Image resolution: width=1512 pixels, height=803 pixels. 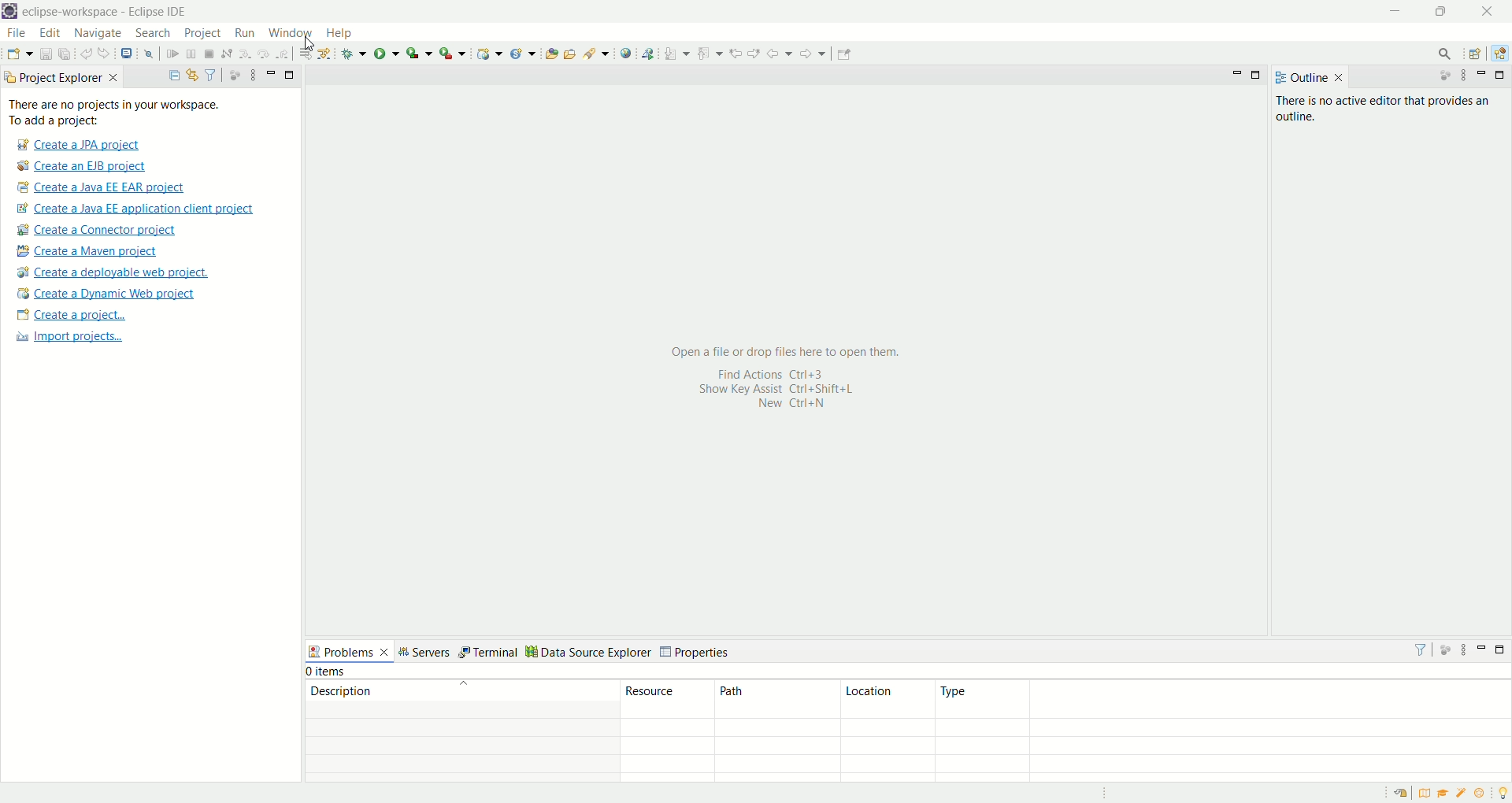 I want to click on run, so click(x=243, y=34).